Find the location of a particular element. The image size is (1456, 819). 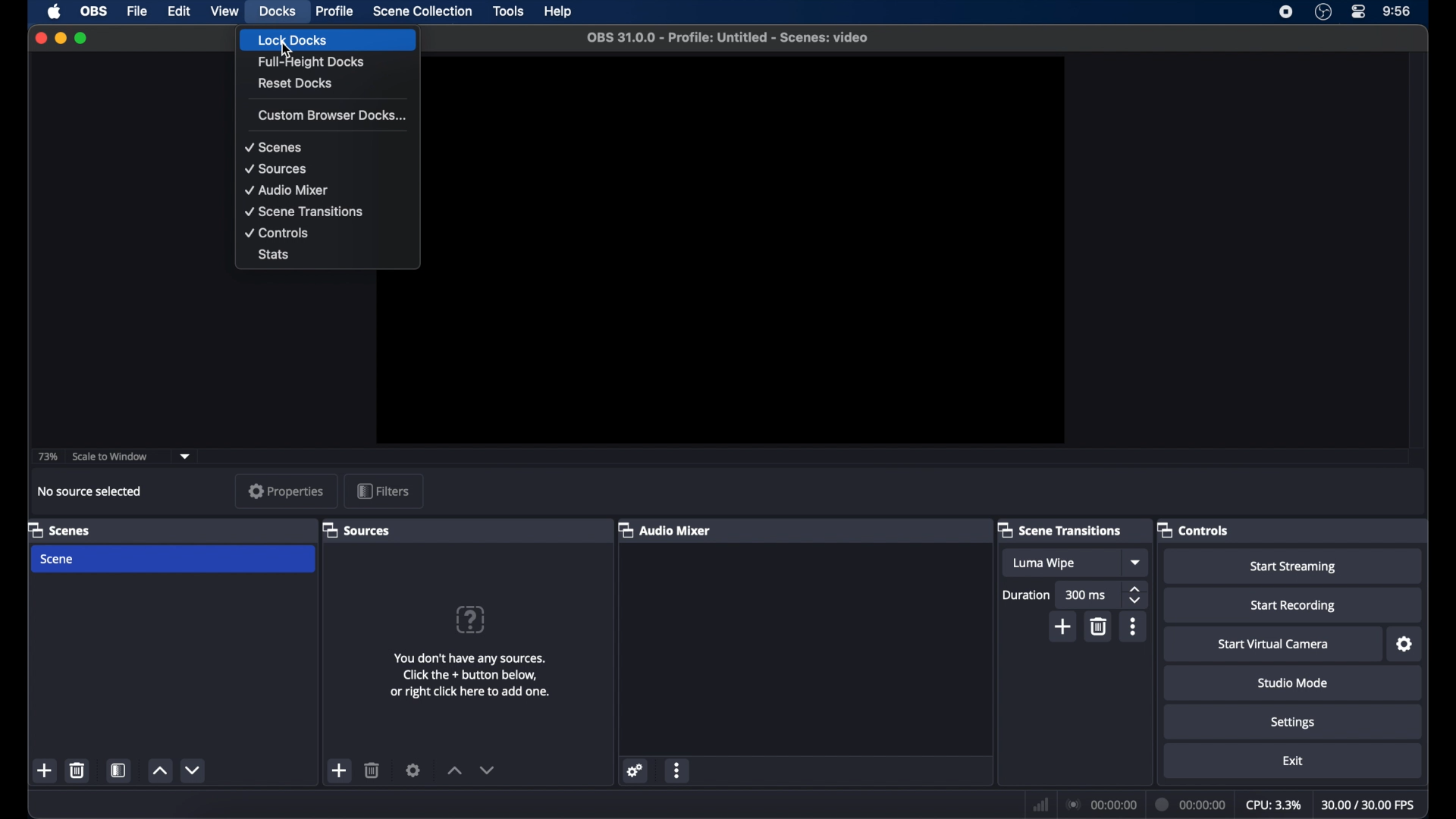

minimize is located at coordinates (60, 38).